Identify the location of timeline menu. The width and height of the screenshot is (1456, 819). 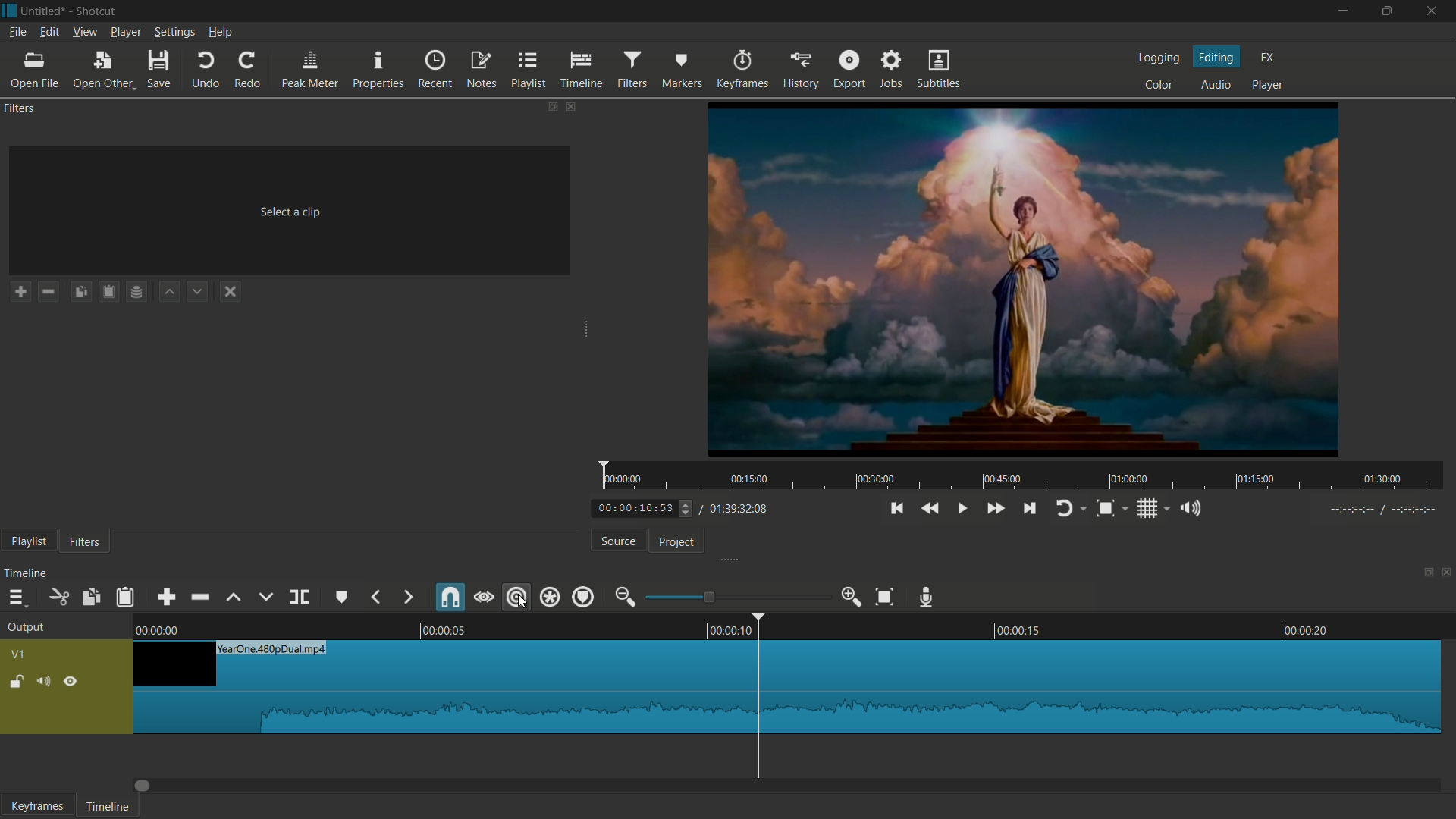
(17, 598).